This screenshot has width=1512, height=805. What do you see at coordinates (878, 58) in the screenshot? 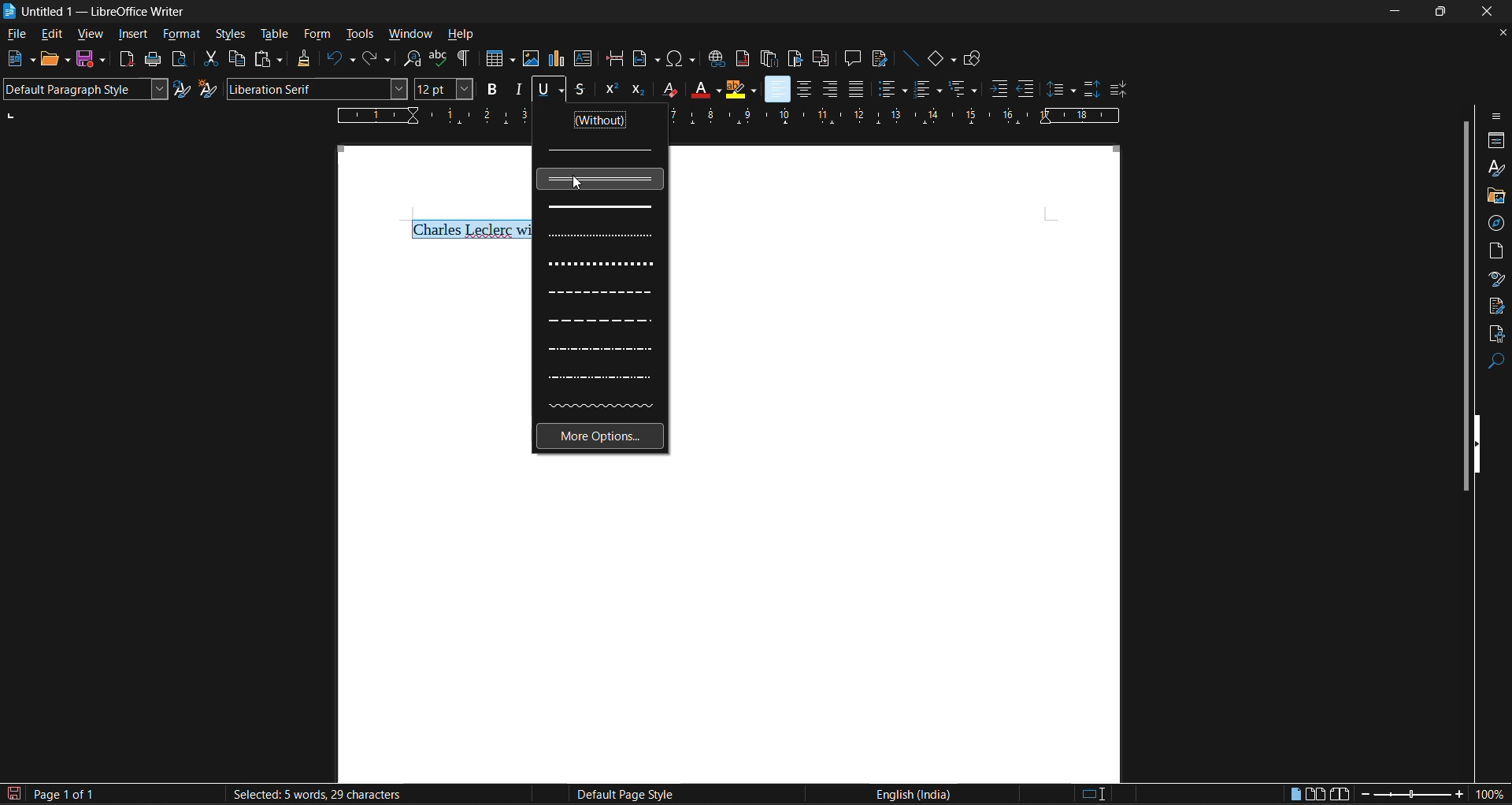
I see `show track change functions` at bounding box center [878, 58].